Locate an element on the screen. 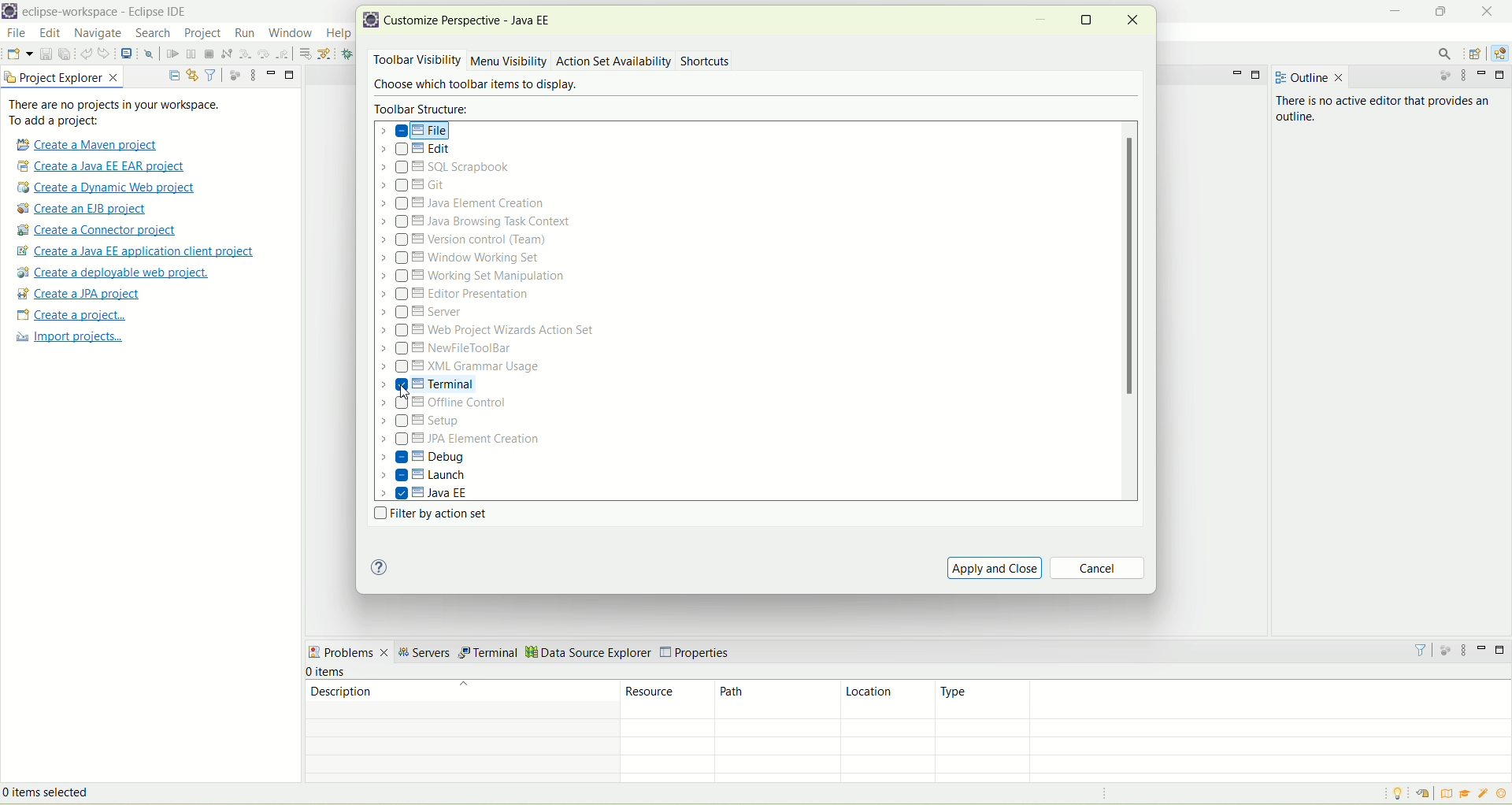 The image size is (1512, 805). Java element creator is located at coordinates (460, 205).